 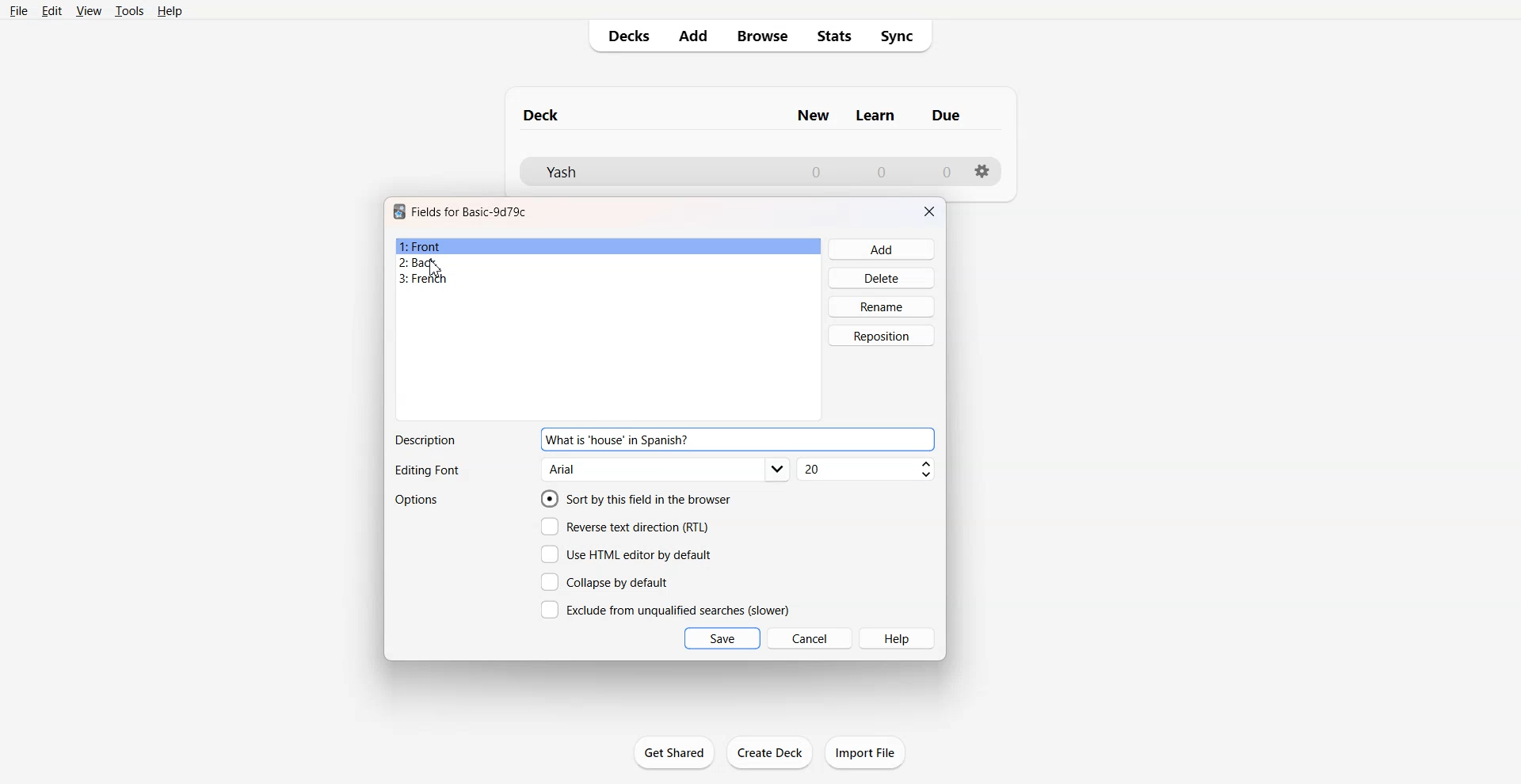 I want to click on Number of New cards, so click(x=816, y=172).